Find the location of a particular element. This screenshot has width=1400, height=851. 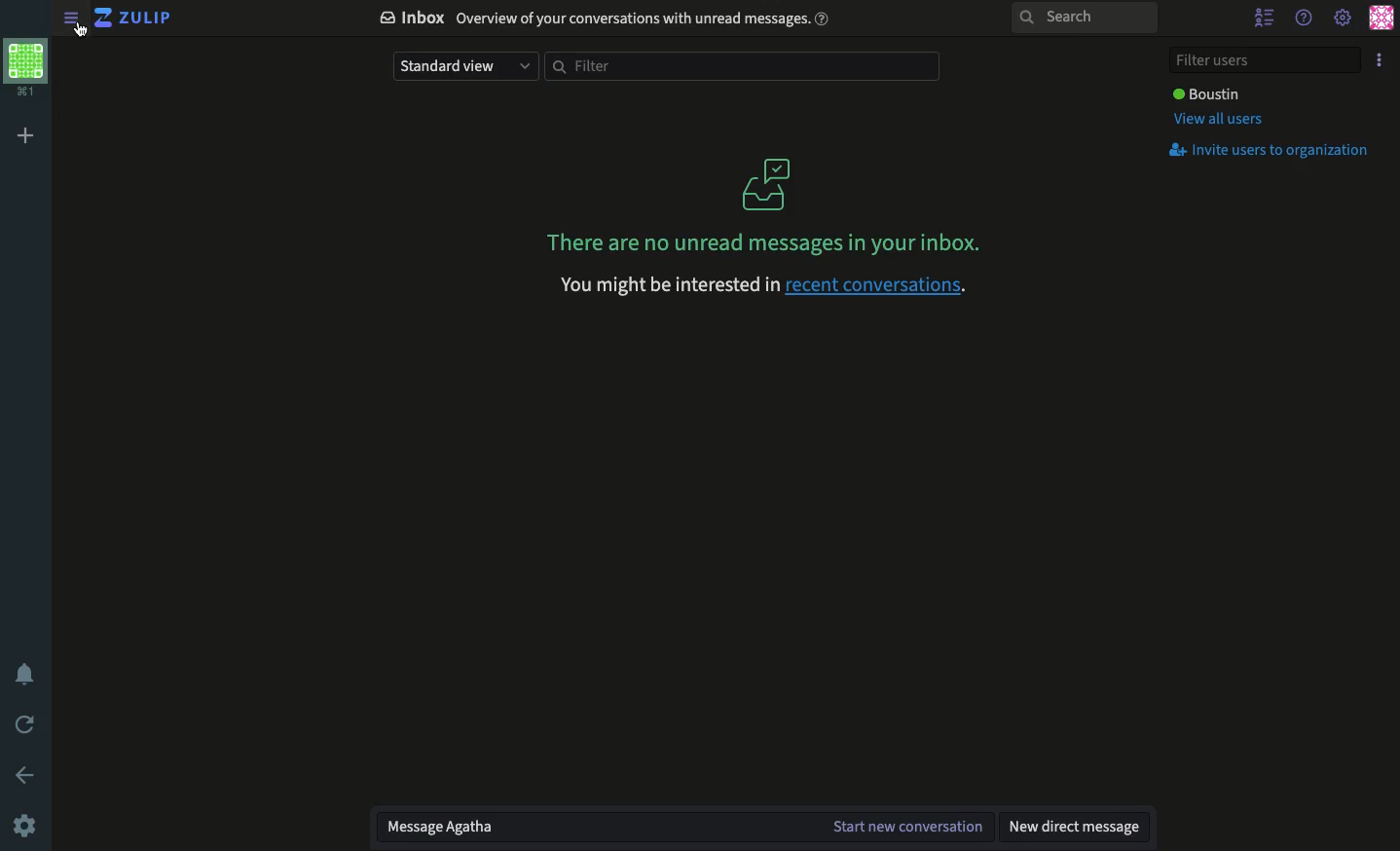

Invite users to organization is located at coordinates (1274, 152).